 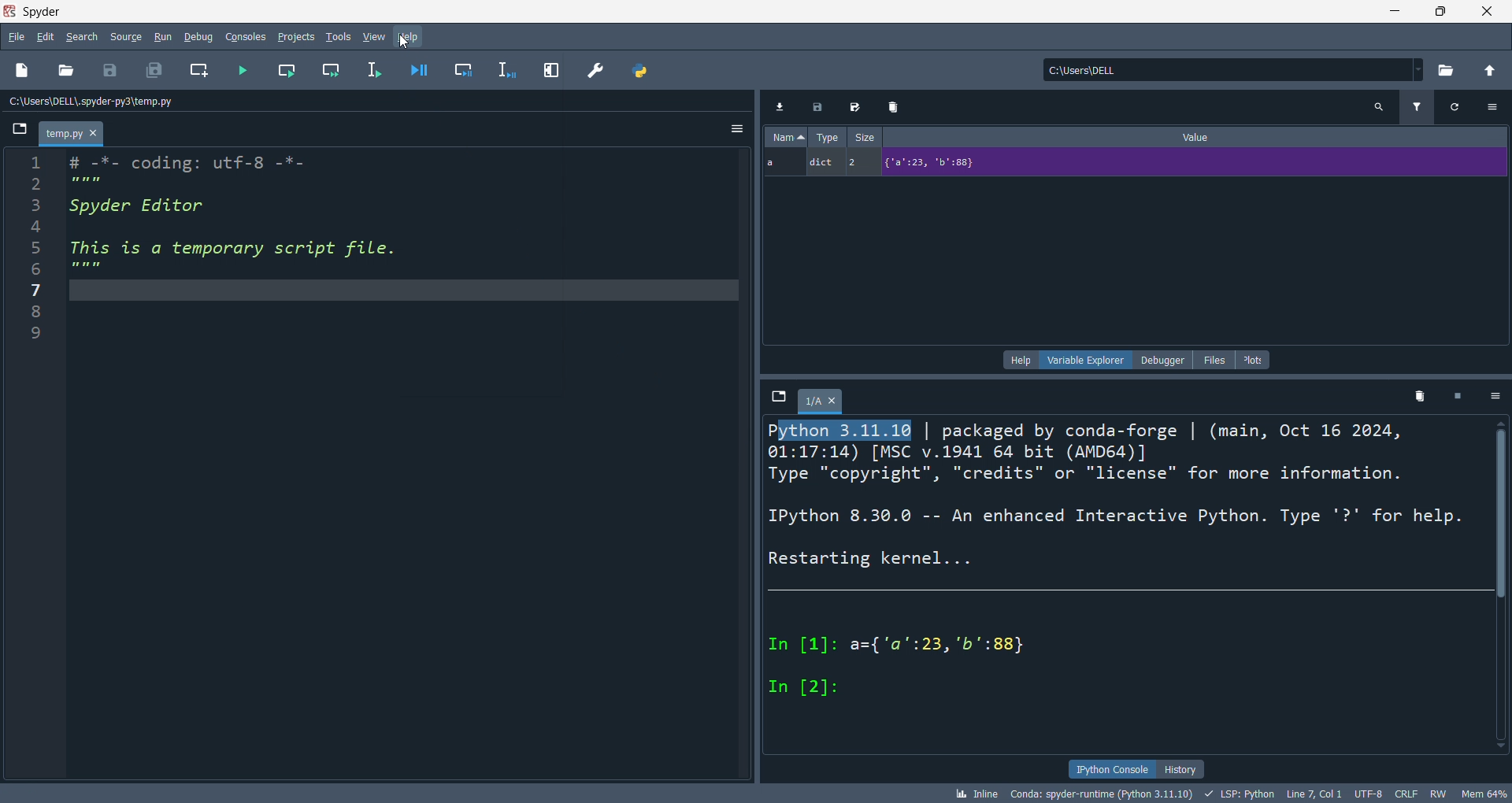 I want to click on variable explorer, so click(x=1086, y=360).